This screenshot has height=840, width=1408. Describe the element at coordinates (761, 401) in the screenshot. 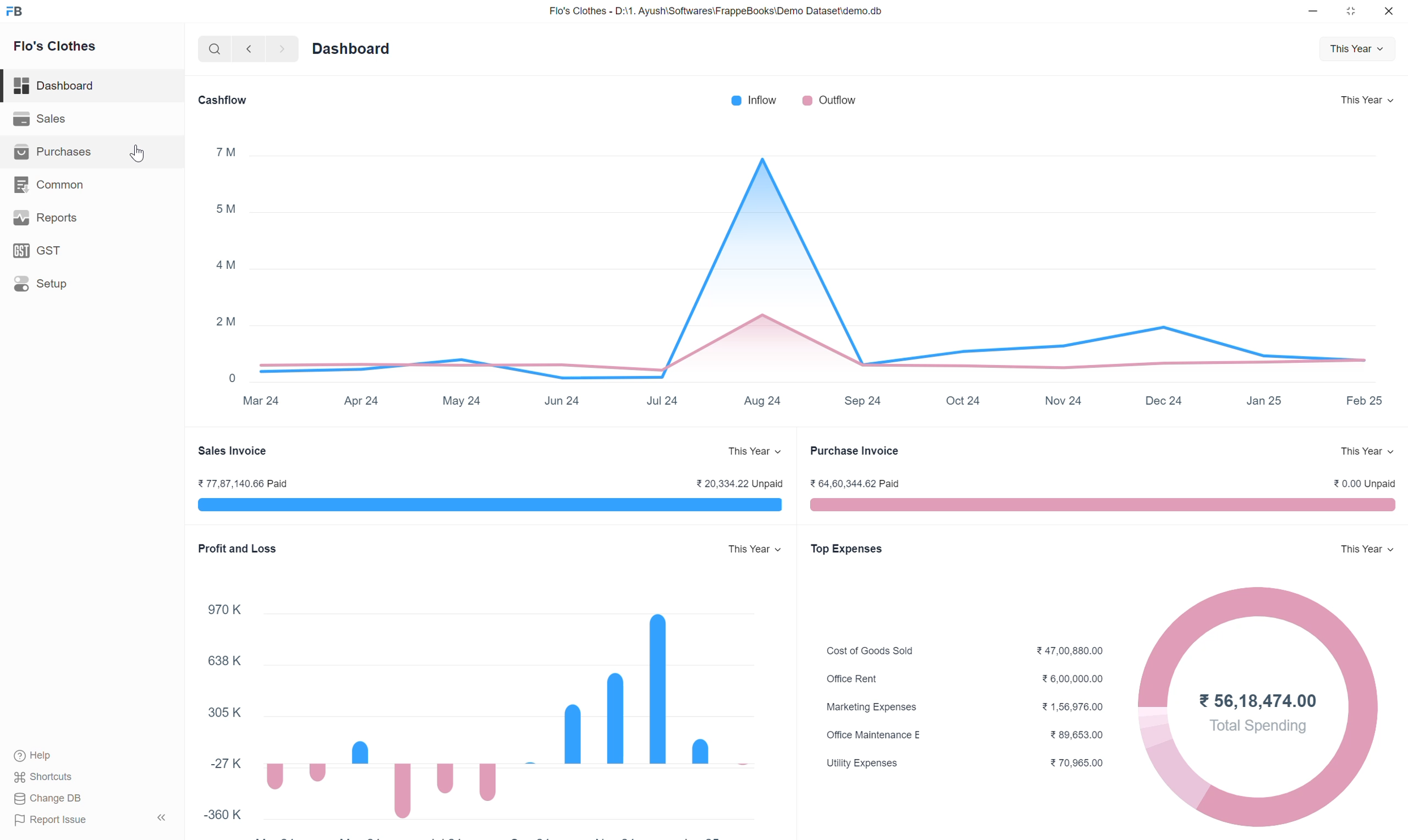

I see `Aug 24` at that location.